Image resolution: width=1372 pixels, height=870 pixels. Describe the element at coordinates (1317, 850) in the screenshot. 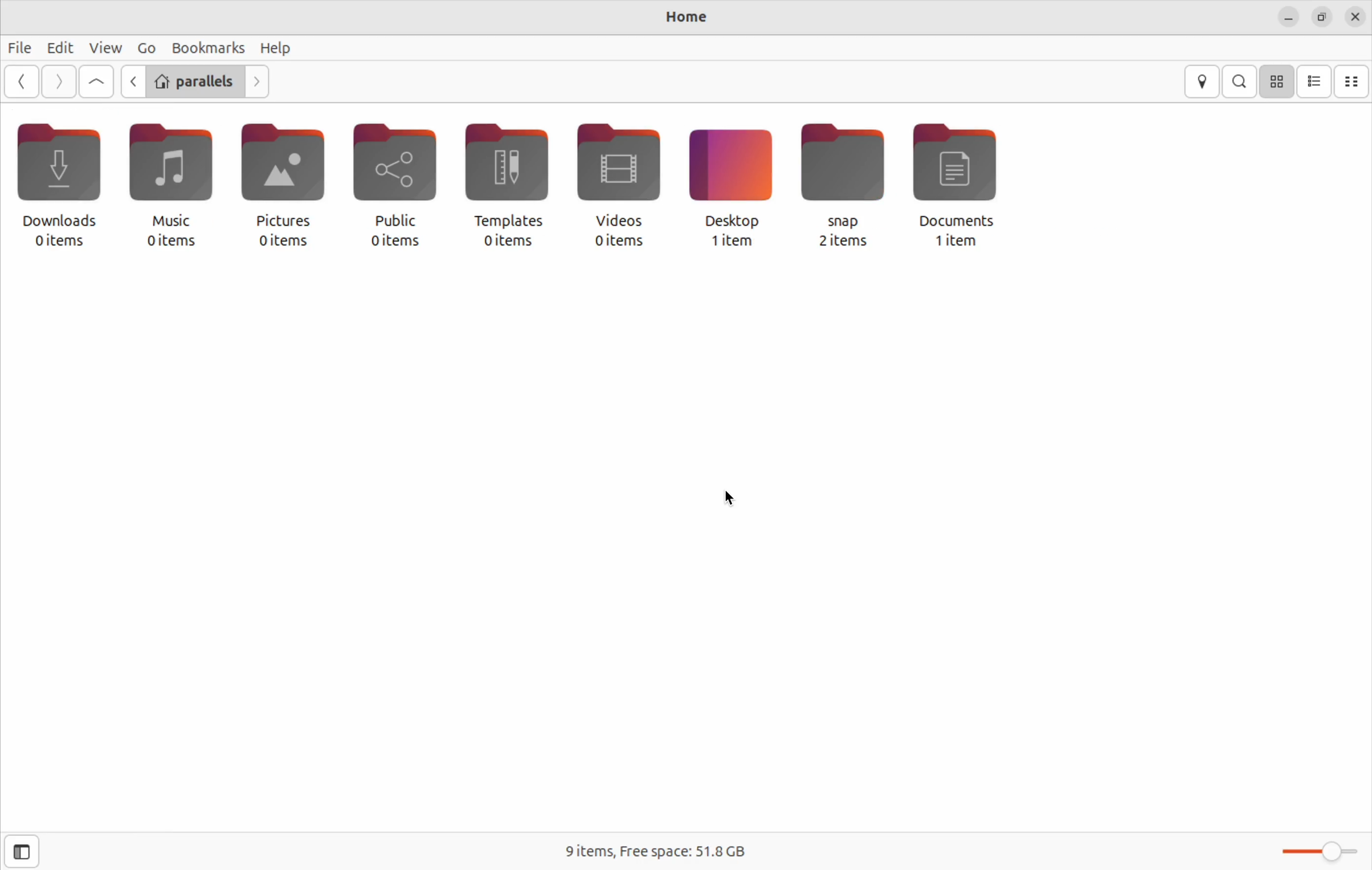

I see `toggle zoom` at that location.